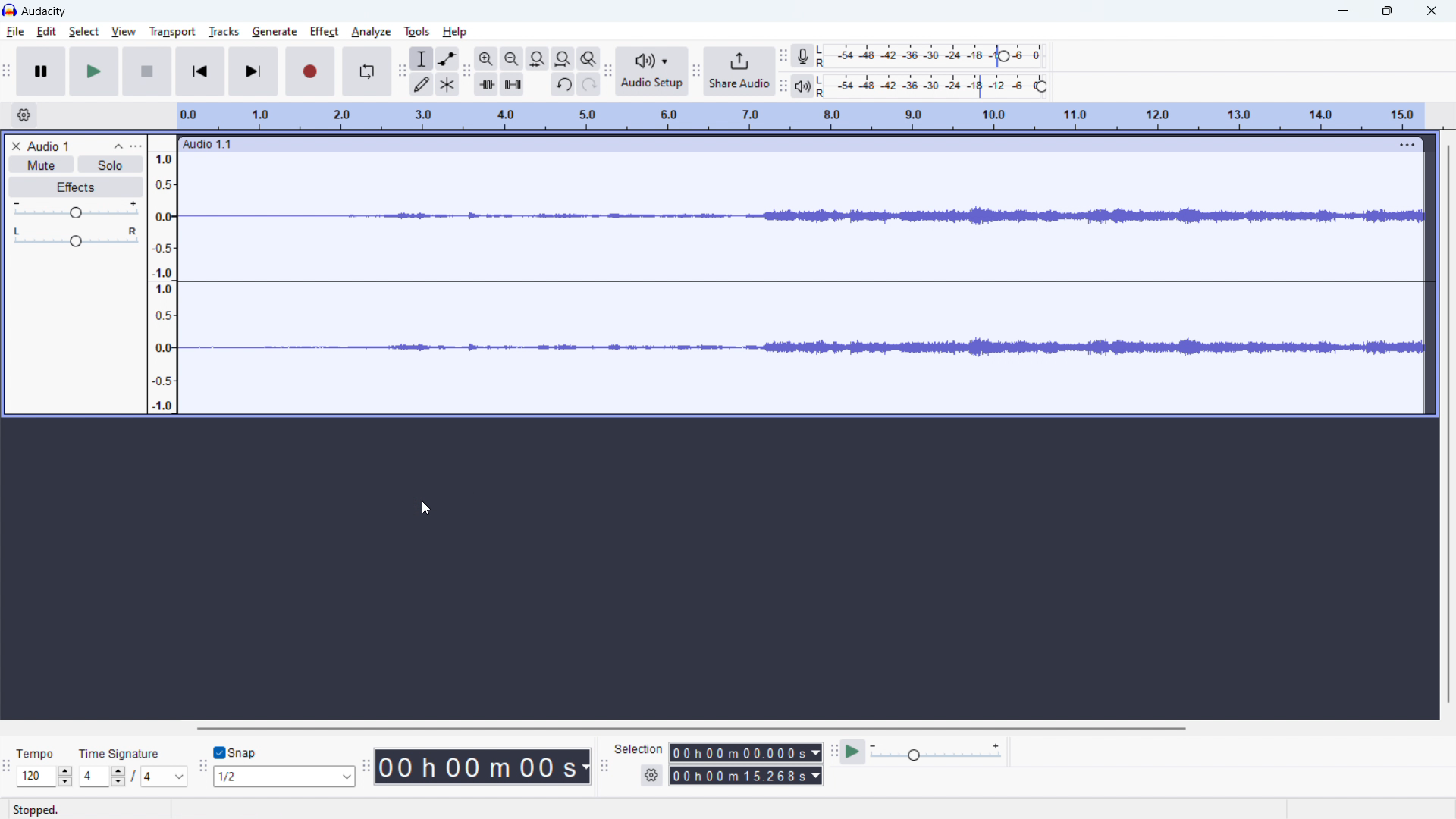  What do you see at coordinates (1446, 424) in the screenshot?
I see `vertical scroll bar` at bounding box center [1446, 424].